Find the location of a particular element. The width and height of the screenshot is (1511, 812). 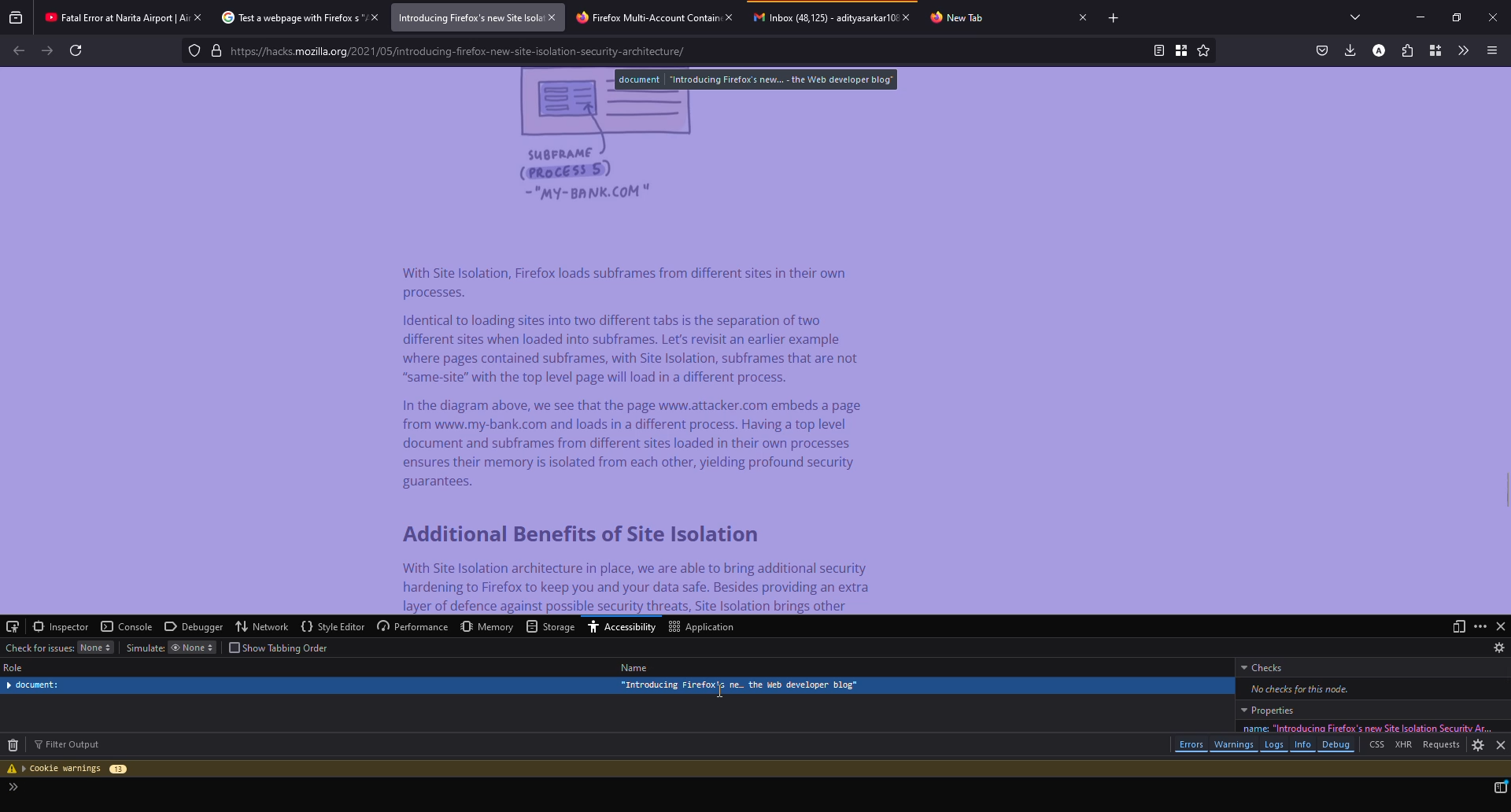

css is located at coordinates (1377, 747).